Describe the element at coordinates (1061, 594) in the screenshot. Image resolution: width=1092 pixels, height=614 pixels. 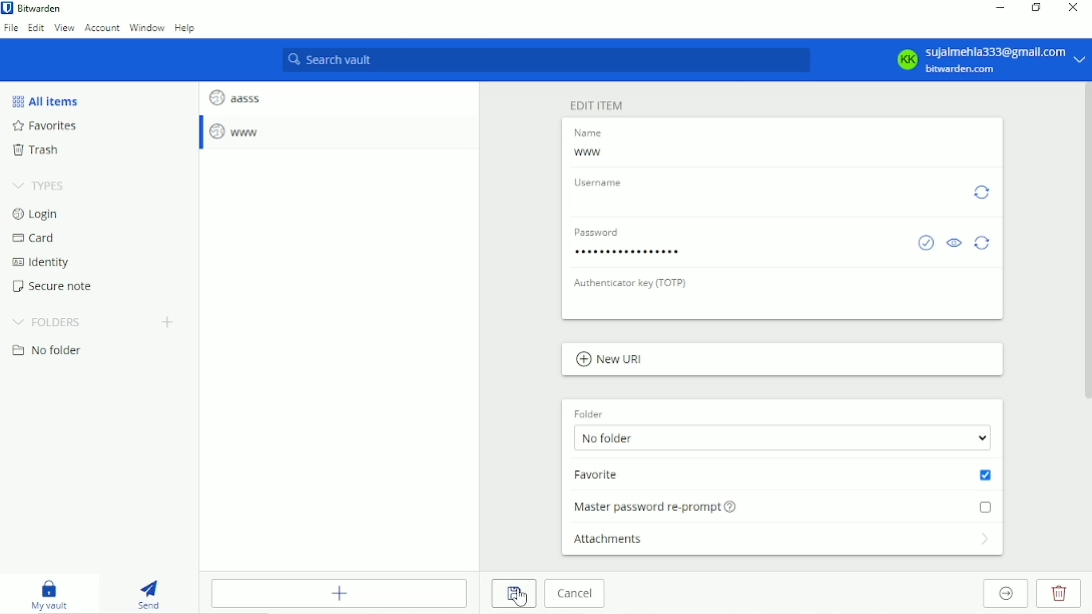
I see `Delete` at that location.